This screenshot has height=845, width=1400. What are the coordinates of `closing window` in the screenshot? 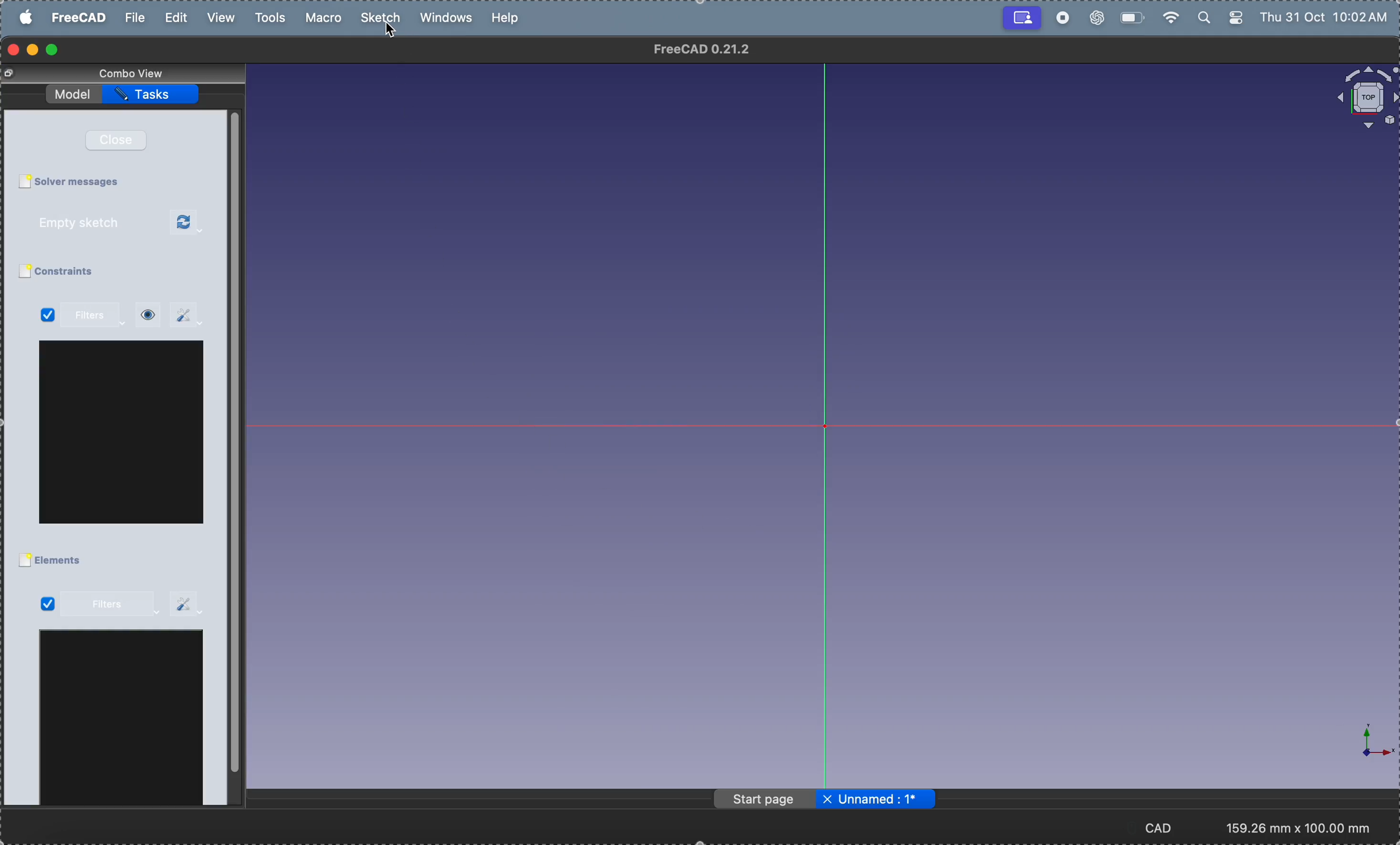 It's located at (14, 50).